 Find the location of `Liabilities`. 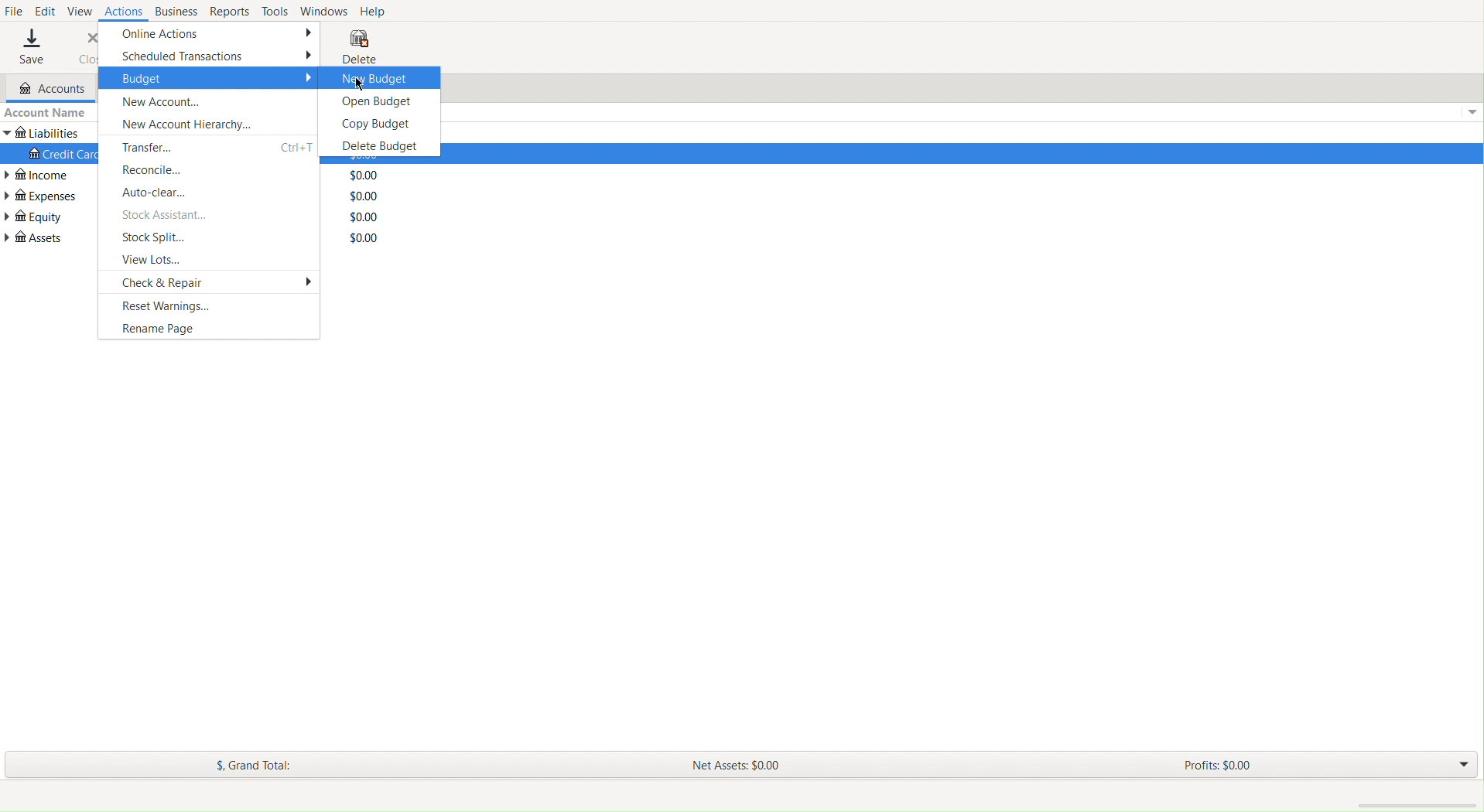

Liabilities is located at coordinates (43, 133).